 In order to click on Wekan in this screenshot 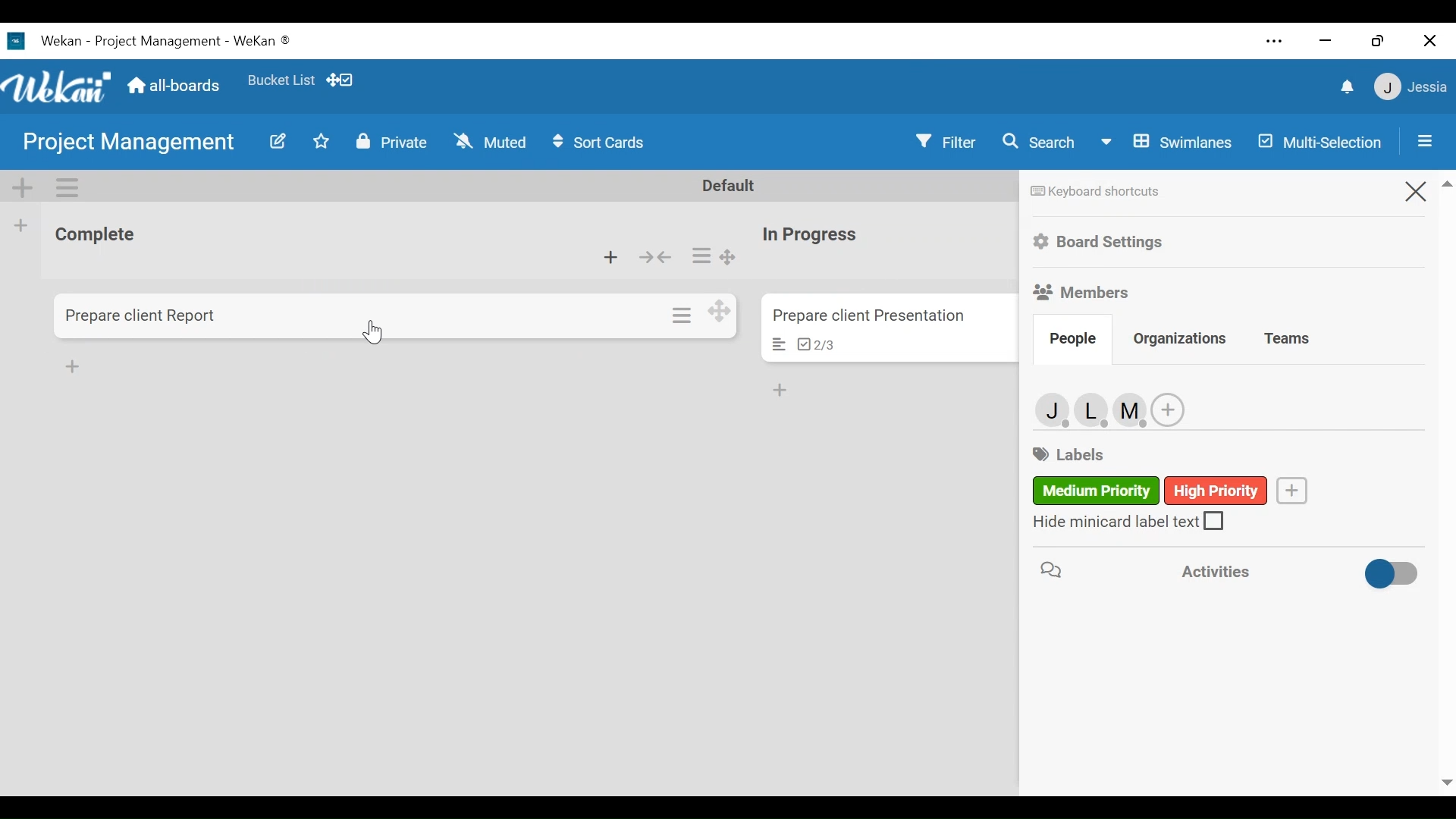, I will do `click(56, 86)`.